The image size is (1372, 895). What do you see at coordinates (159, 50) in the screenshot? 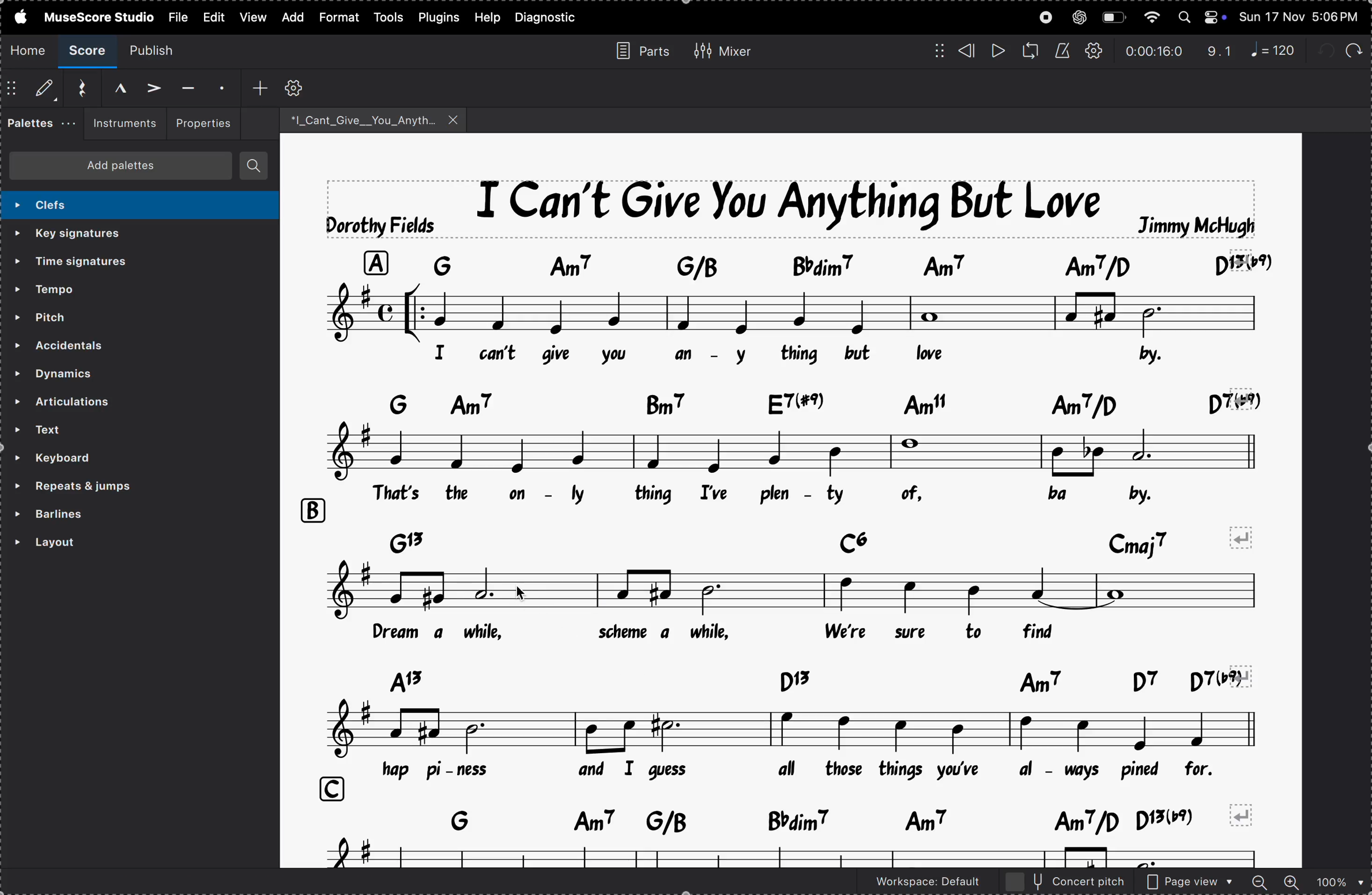
I see `publish` at bounding box center [159, 50].